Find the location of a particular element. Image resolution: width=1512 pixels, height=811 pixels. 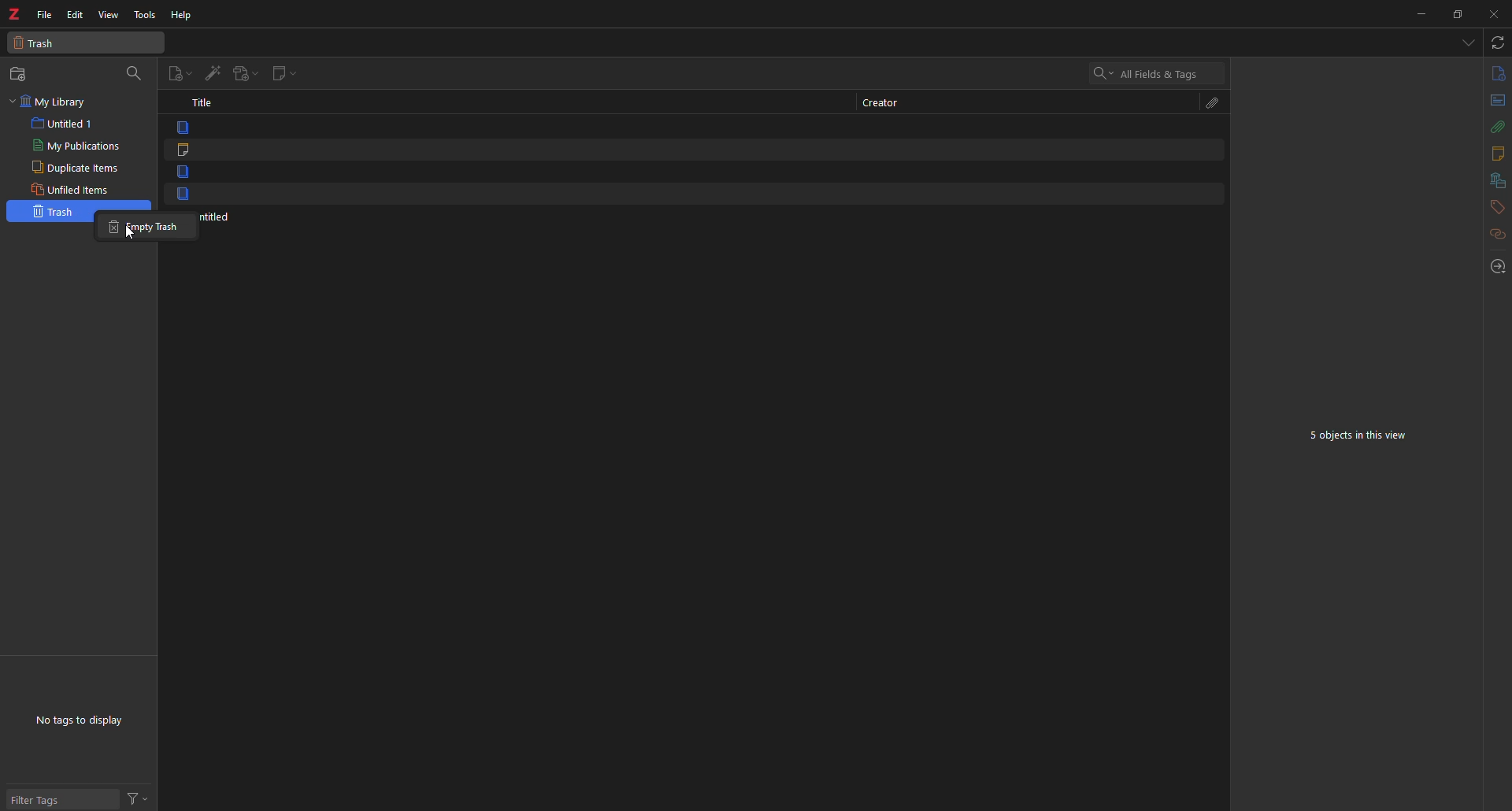

filter tags is located at coordinates (47, 798).